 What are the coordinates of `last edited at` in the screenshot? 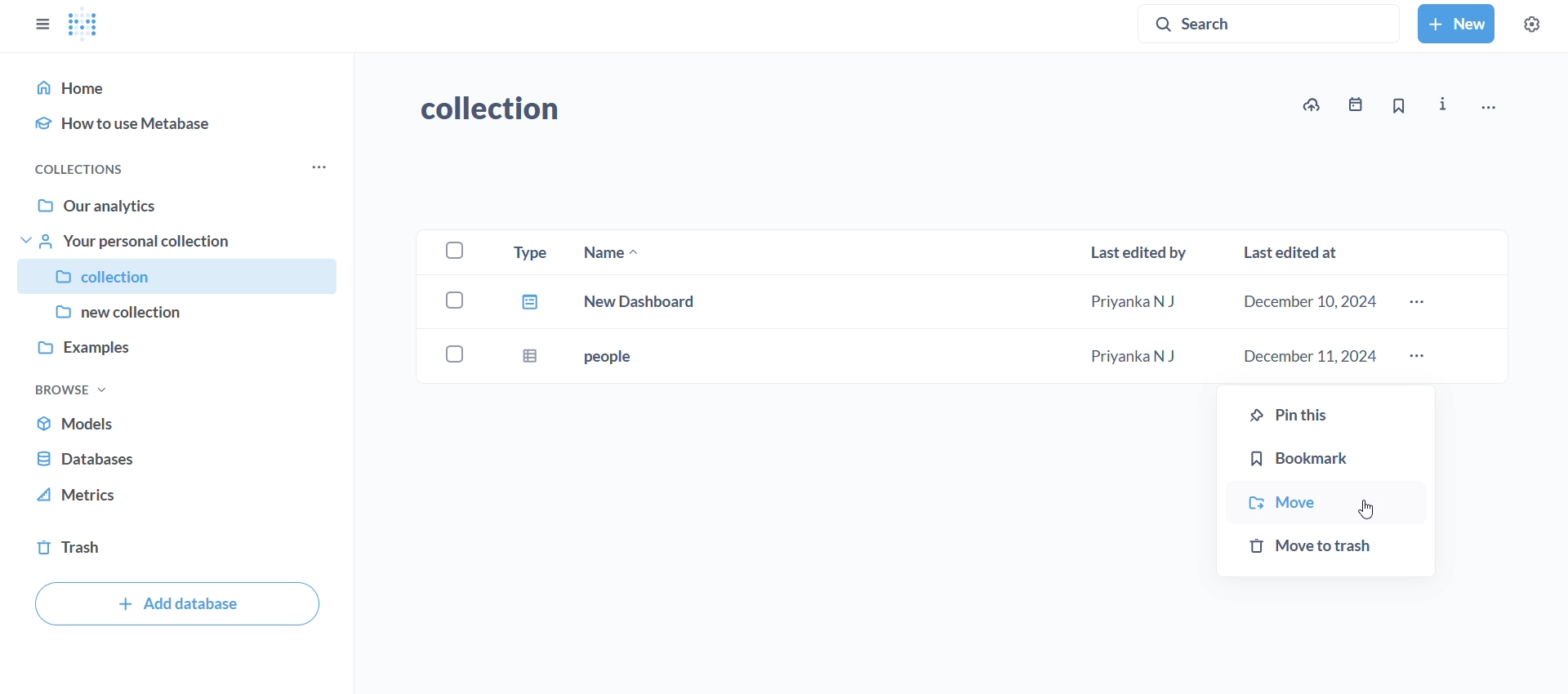 It's located at (1295, 251).